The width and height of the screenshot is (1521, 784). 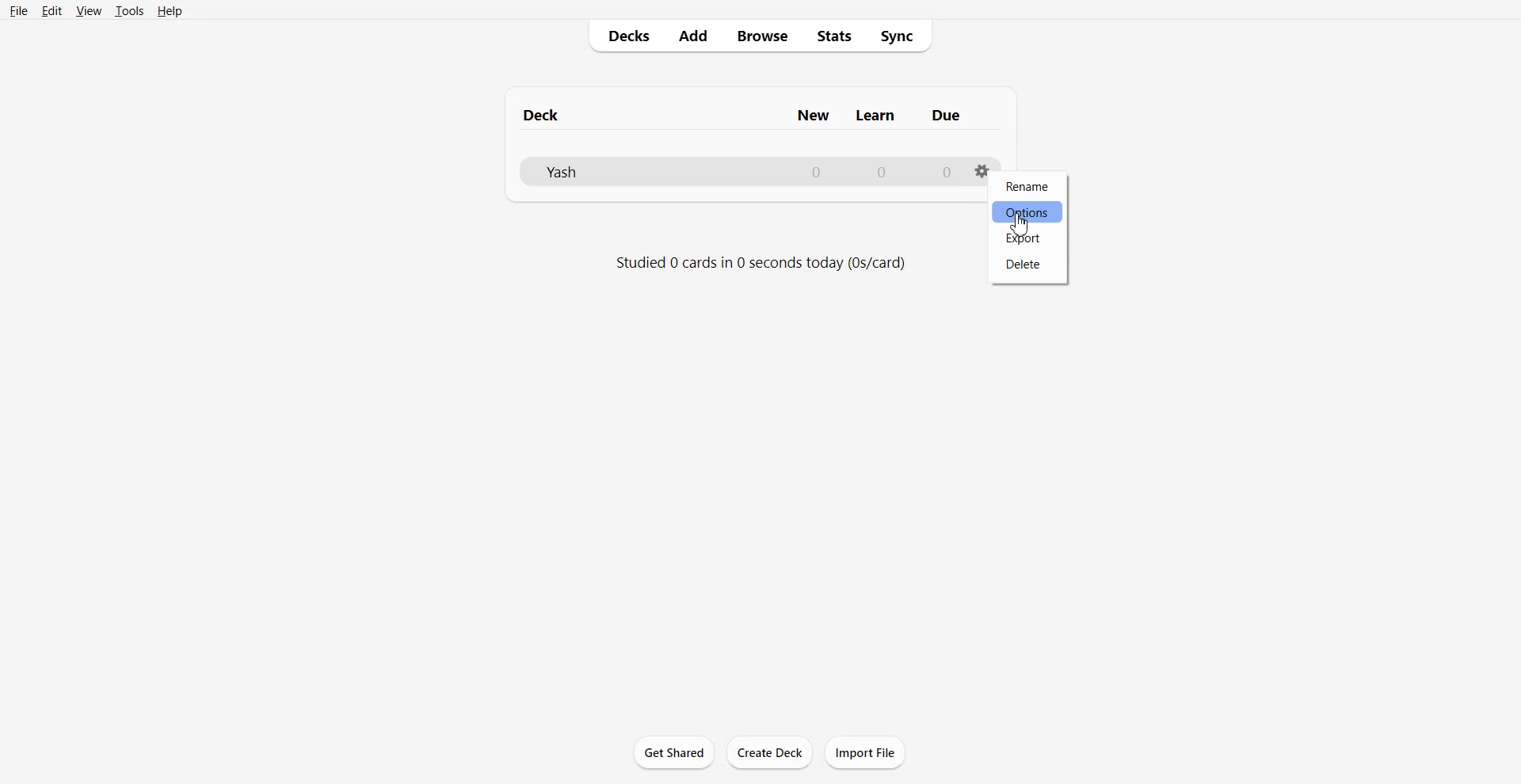 What do you see at coordinates (673, 751) in the screenshot?
I see `Get shared` at bounding box center [673, 751].